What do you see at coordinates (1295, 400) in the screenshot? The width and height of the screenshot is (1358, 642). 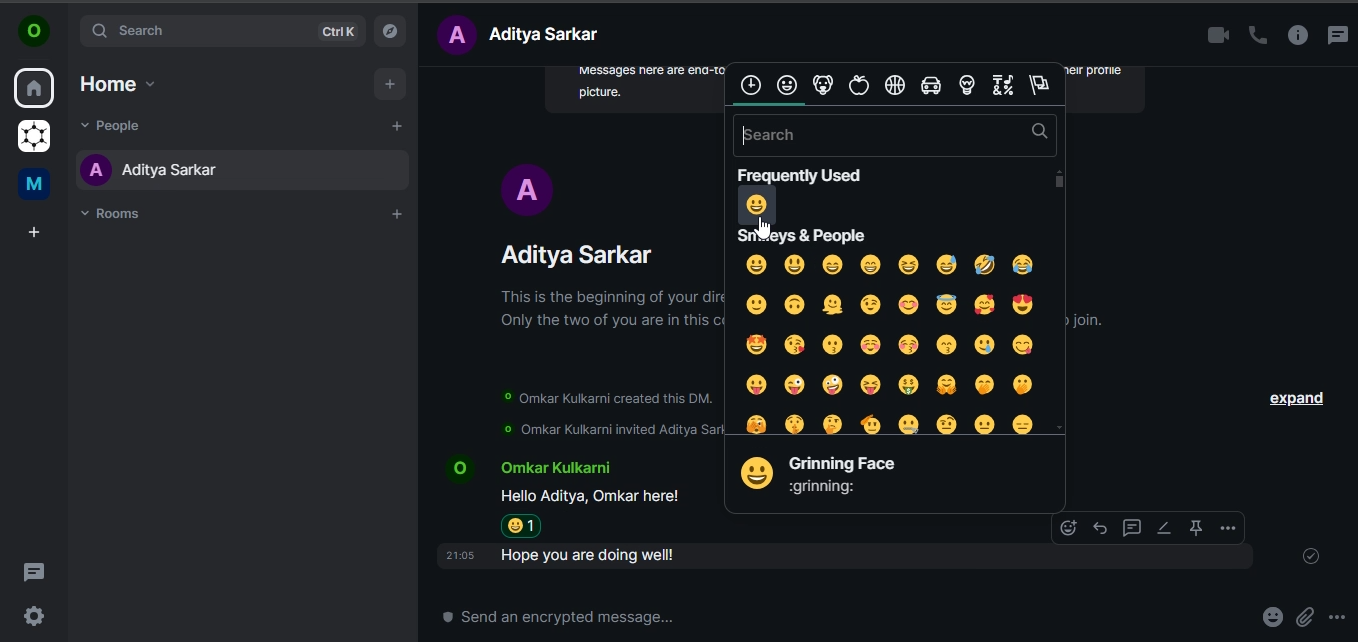 I see `expand` at bounding box center [1295, 400].